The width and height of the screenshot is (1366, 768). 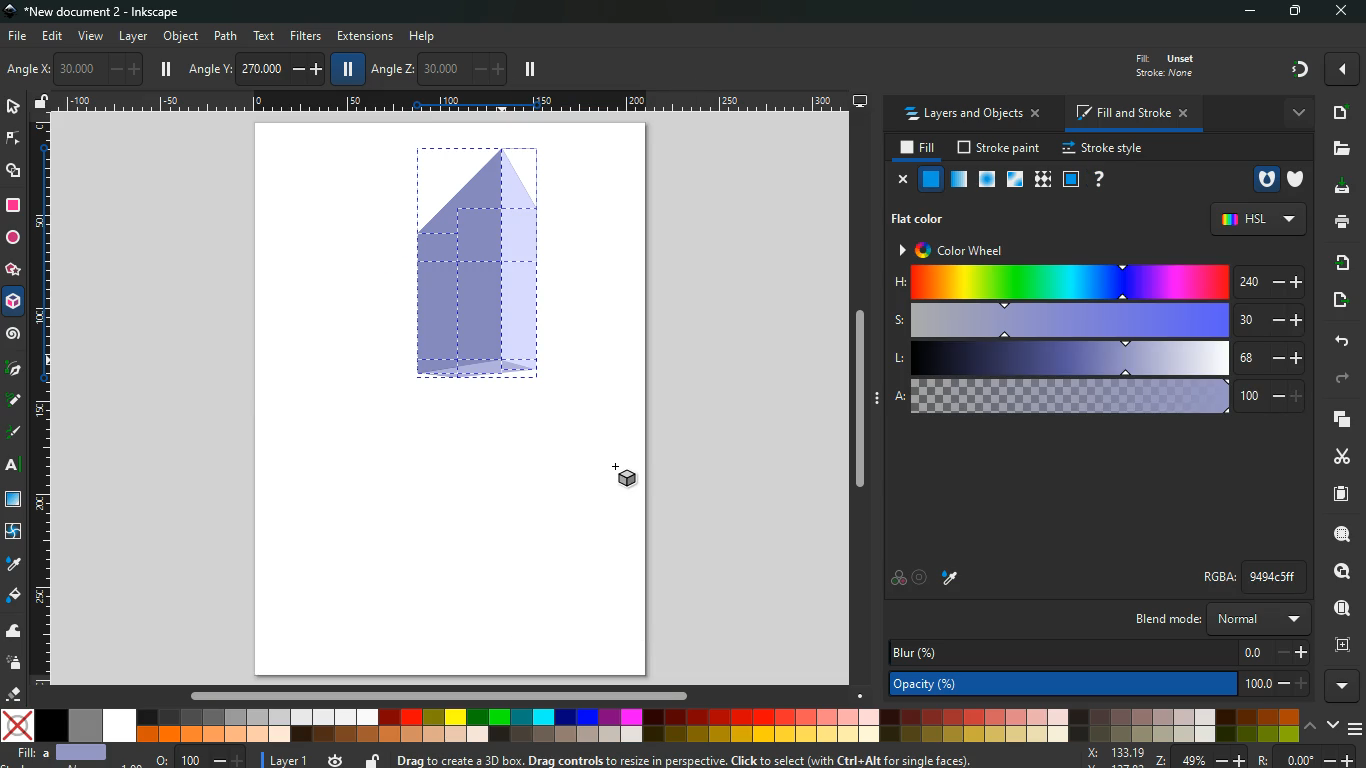 What do you see at coordinates (1100, 358) in the screenshot?
I see `l` at bounding box center [1100, 358].